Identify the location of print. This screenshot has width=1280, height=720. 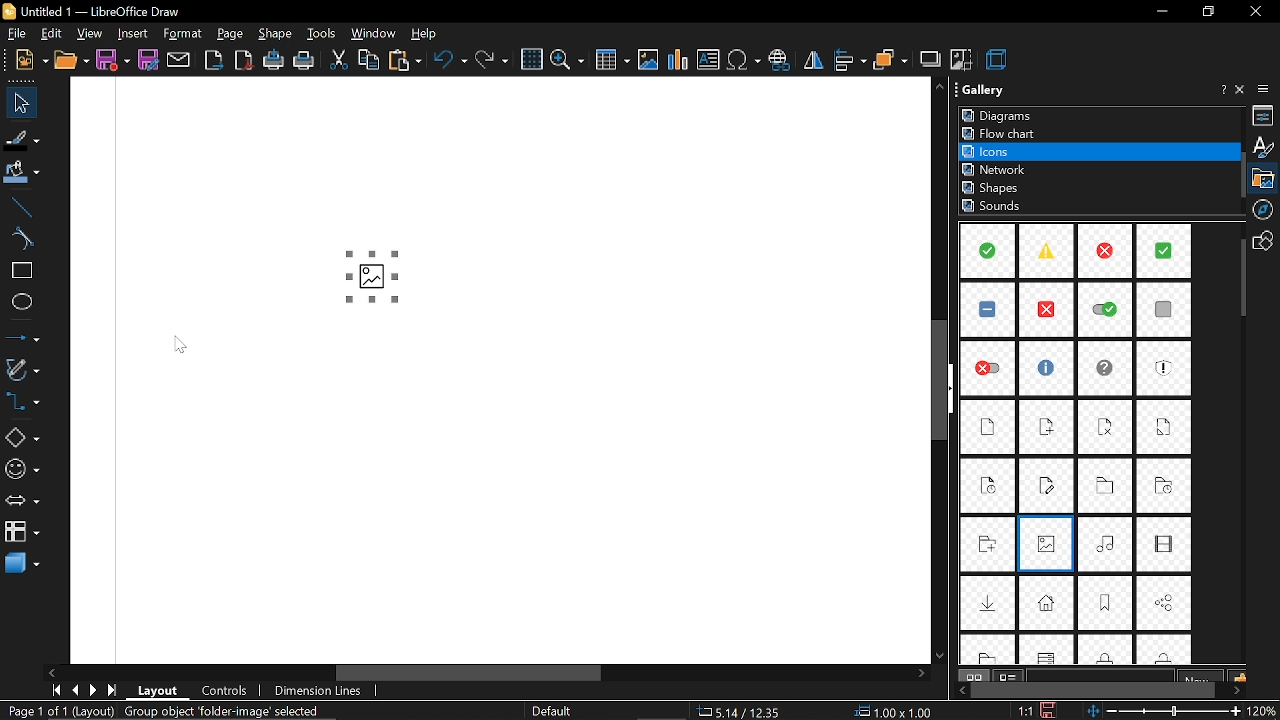
(305, 60).